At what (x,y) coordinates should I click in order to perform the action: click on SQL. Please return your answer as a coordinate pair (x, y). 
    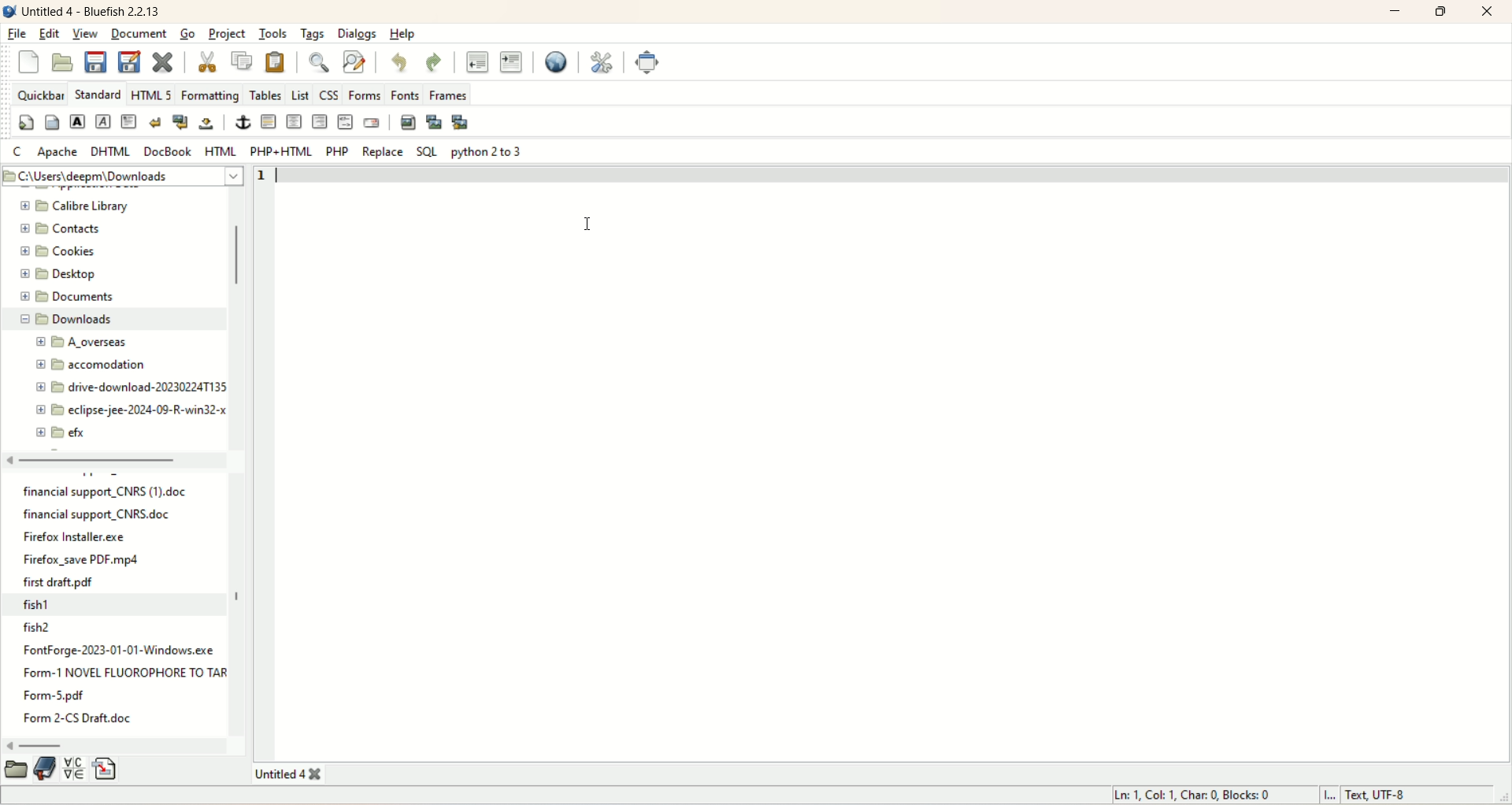
    Looking at the image, I should click on (426, 152).